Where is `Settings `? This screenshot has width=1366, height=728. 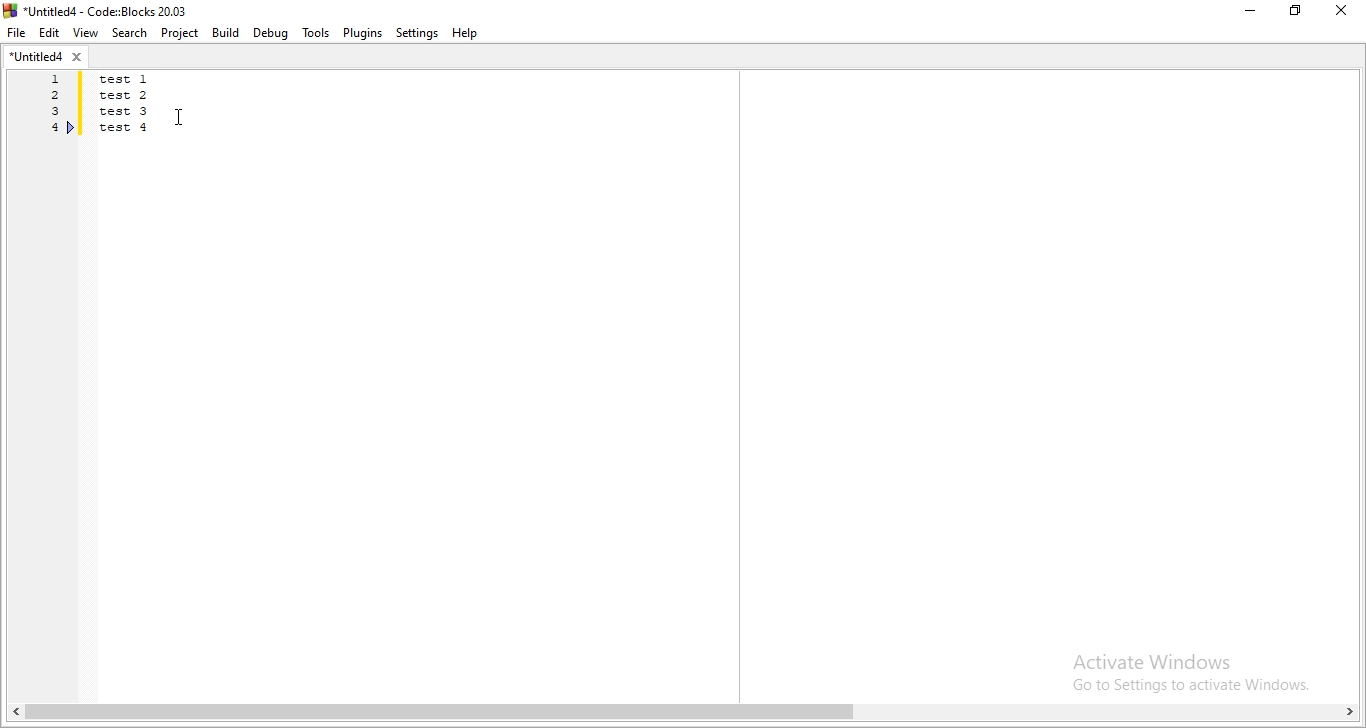 Settings  is located at coordinates (415, 34).